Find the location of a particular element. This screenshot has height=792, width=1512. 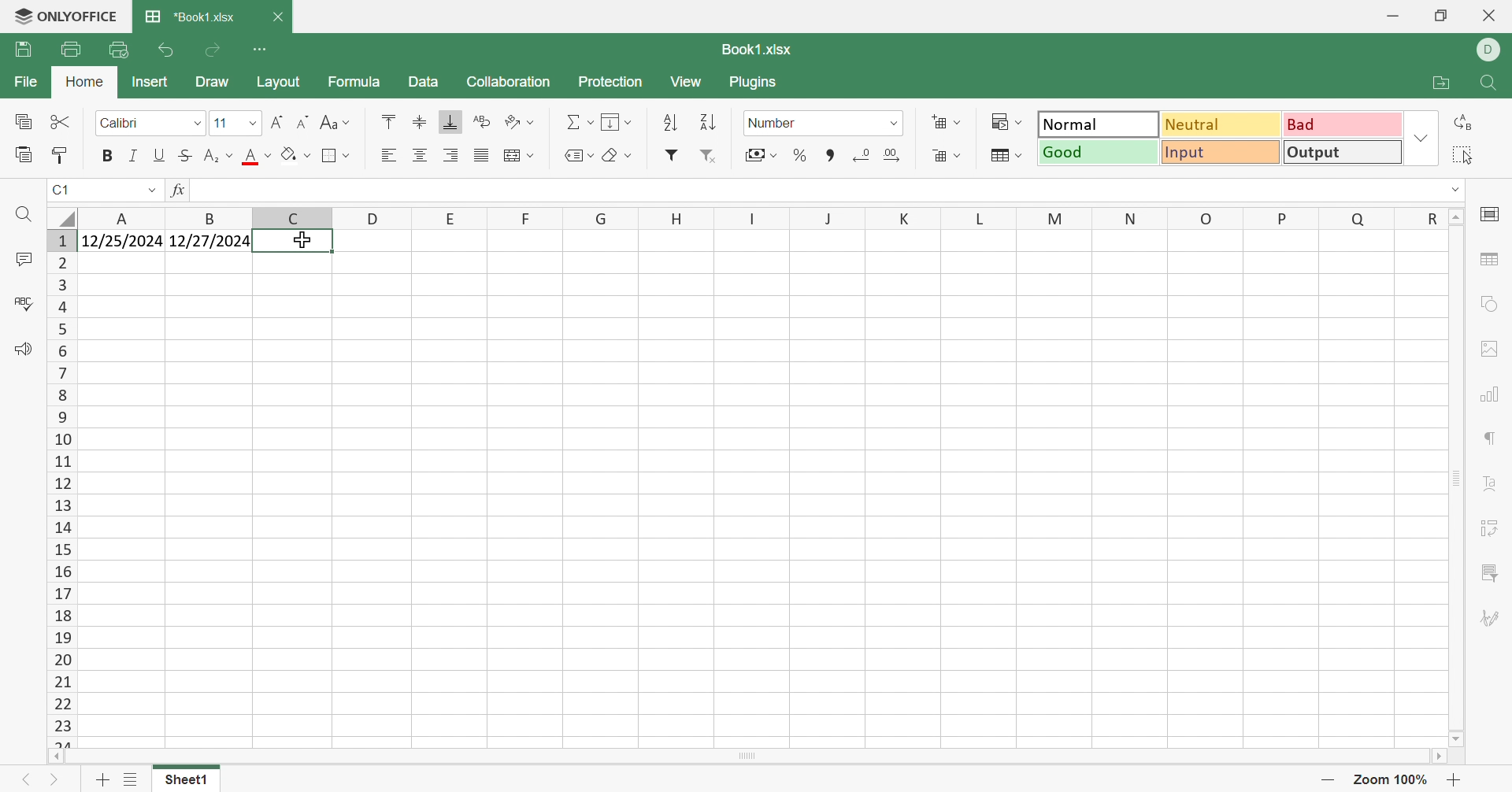

Fill color is located at coordinates (299, 154).